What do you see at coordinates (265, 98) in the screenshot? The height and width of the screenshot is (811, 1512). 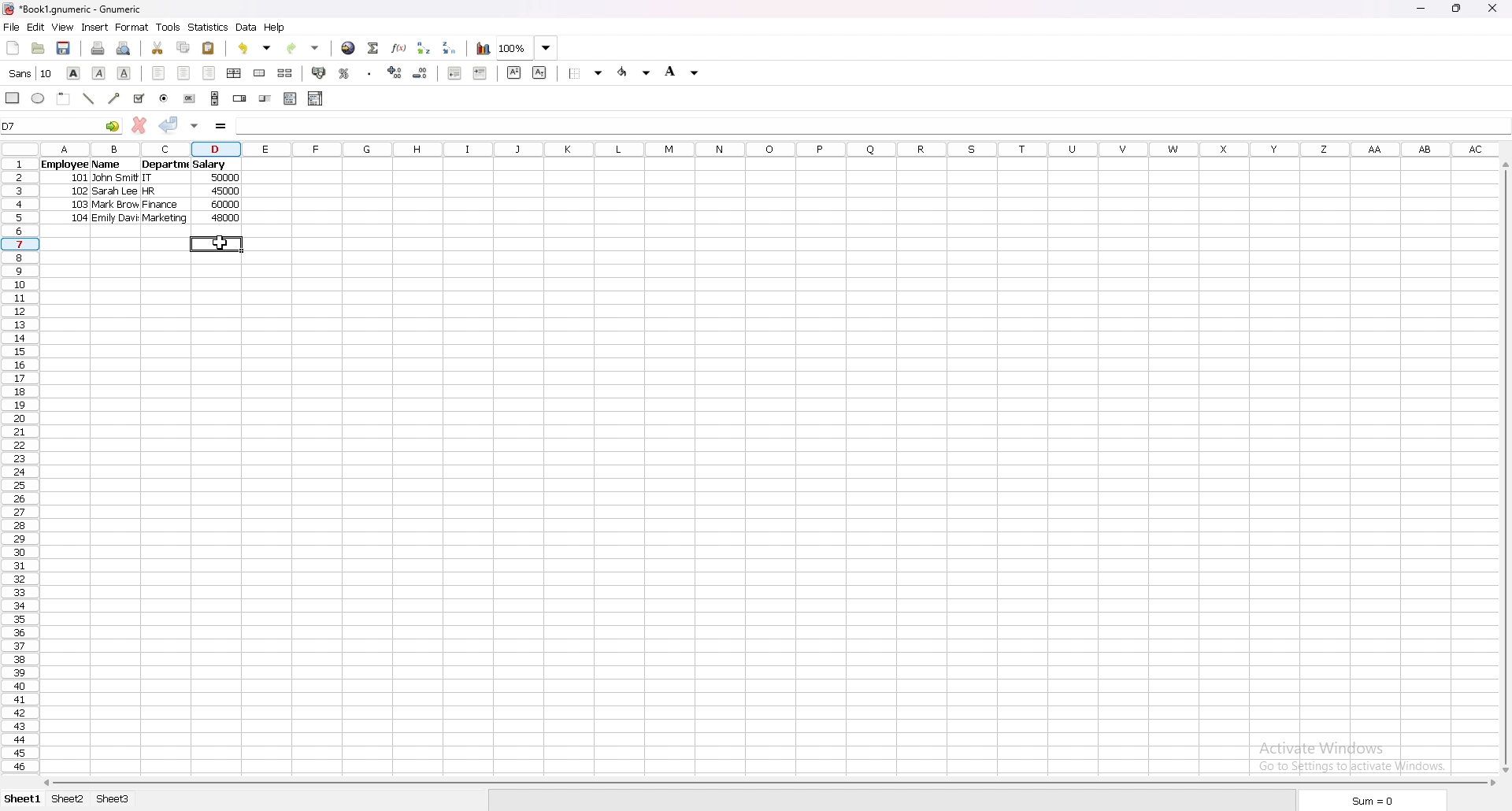 I see `slider` at bounding box center [265, 98].